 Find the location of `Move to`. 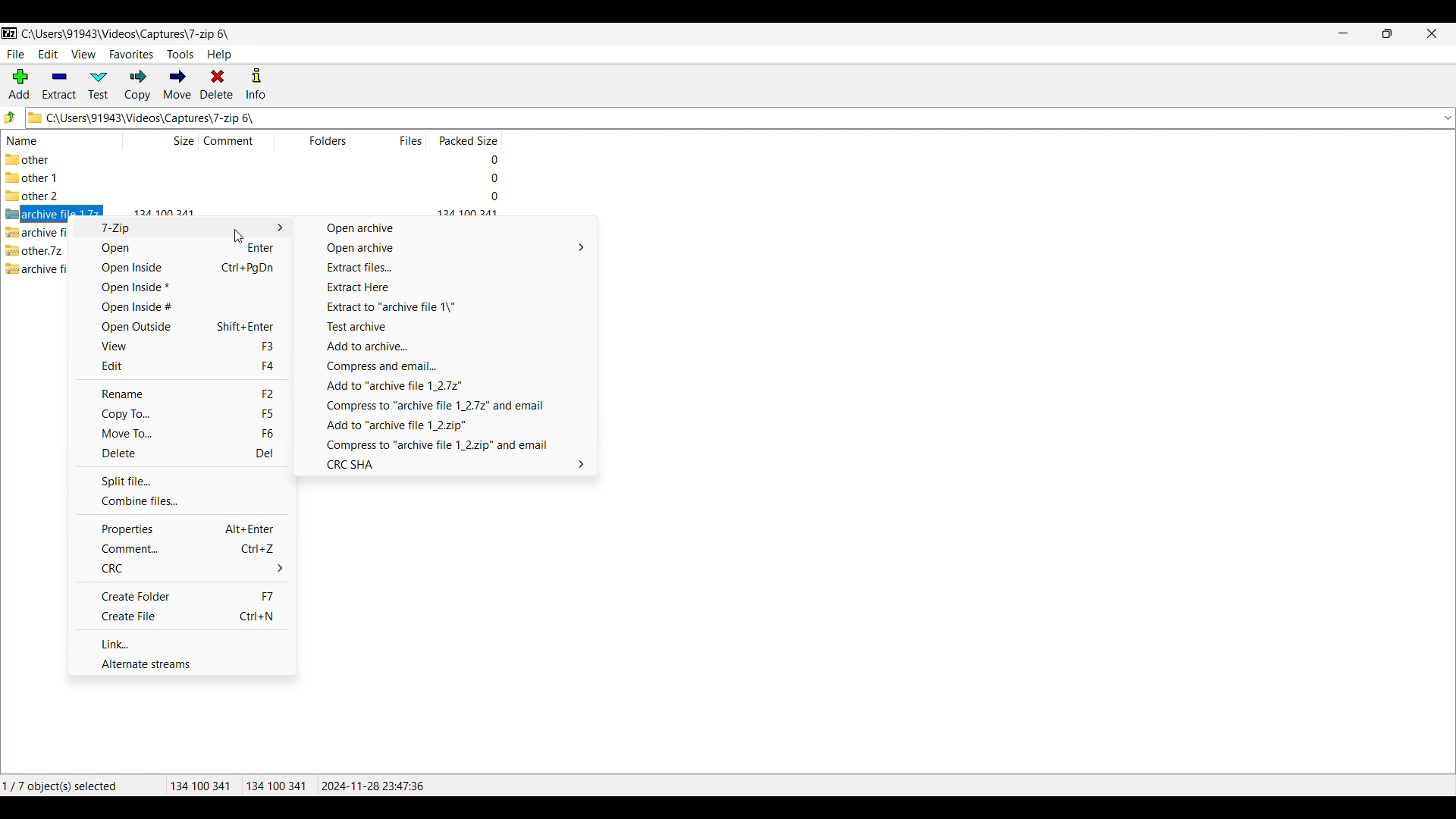

Move to is located at coordinates (180, 434).